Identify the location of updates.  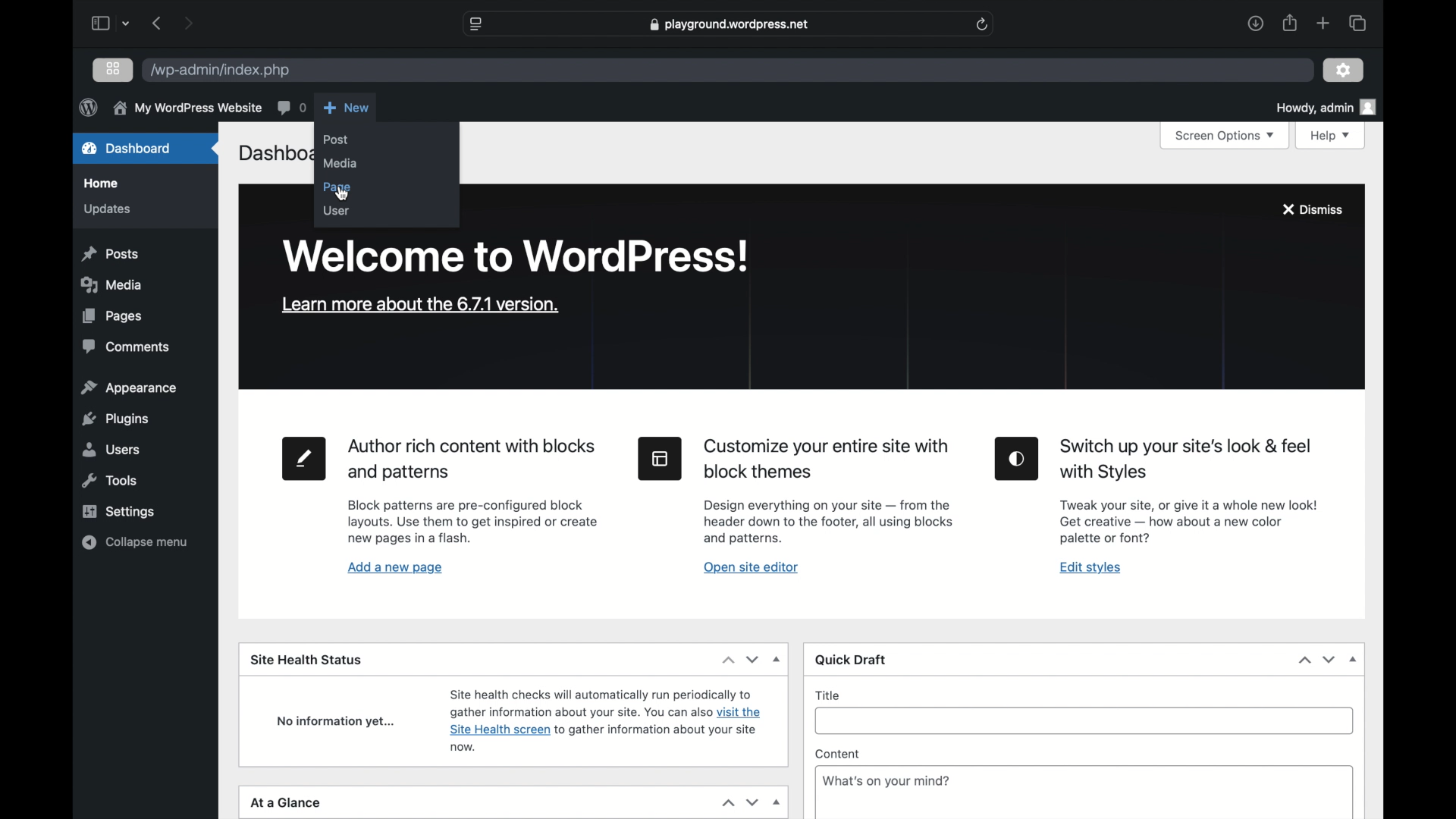
(108, 209).